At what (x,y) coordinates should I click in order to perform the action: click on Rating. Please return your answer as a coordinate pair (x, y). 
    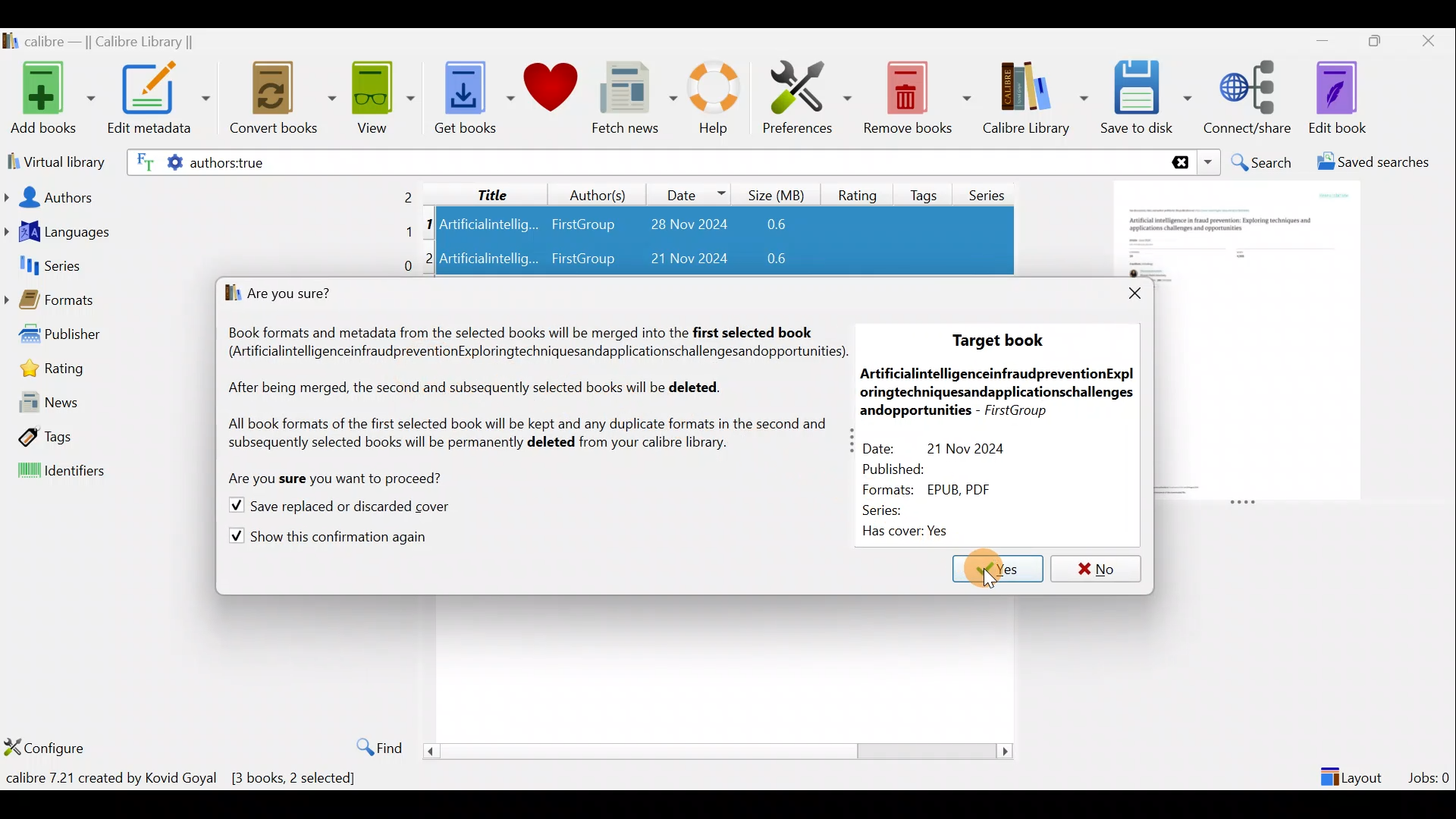
    Looking at the image, I should click on (858, 193).